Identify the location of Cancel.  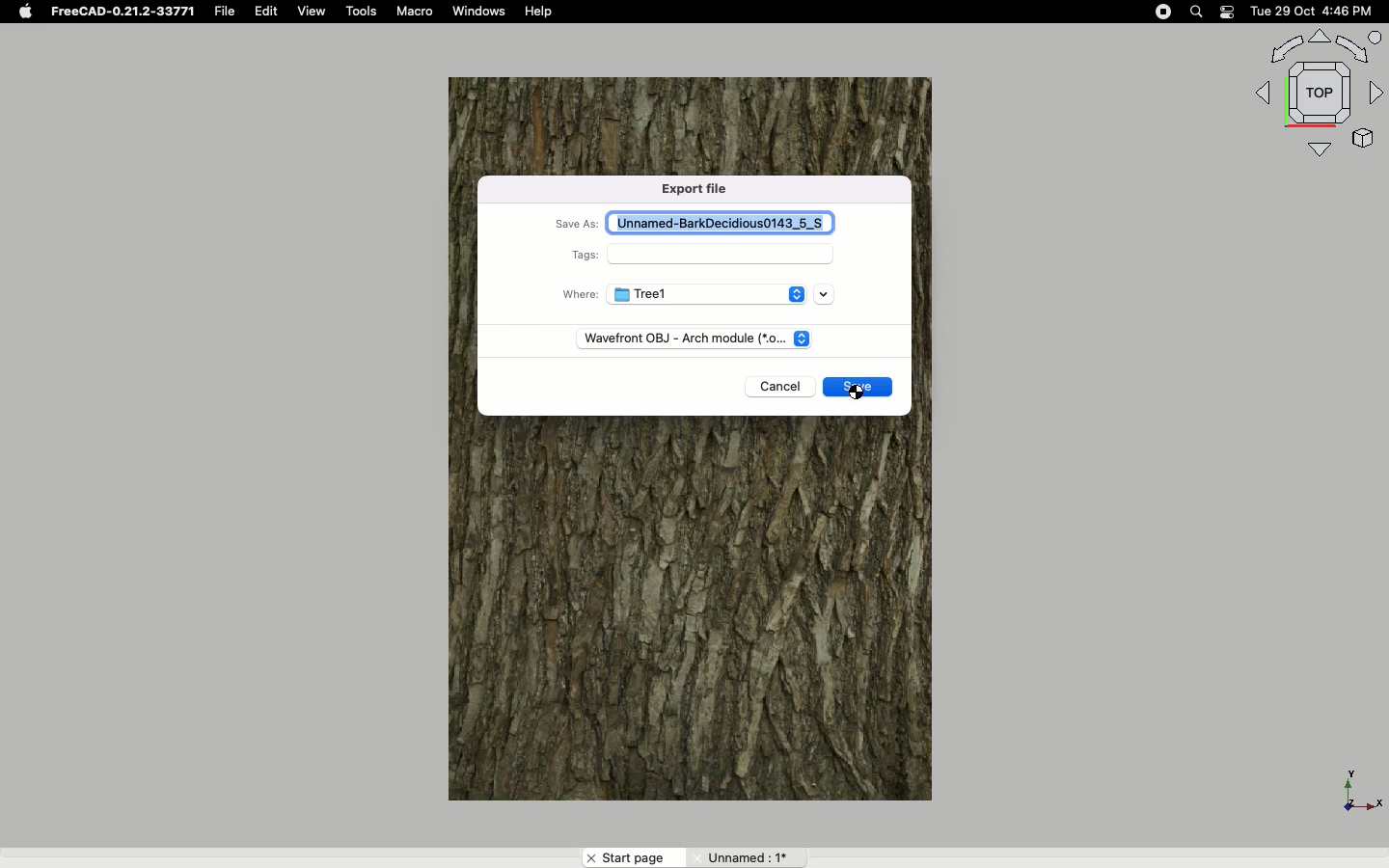
(780, 388).